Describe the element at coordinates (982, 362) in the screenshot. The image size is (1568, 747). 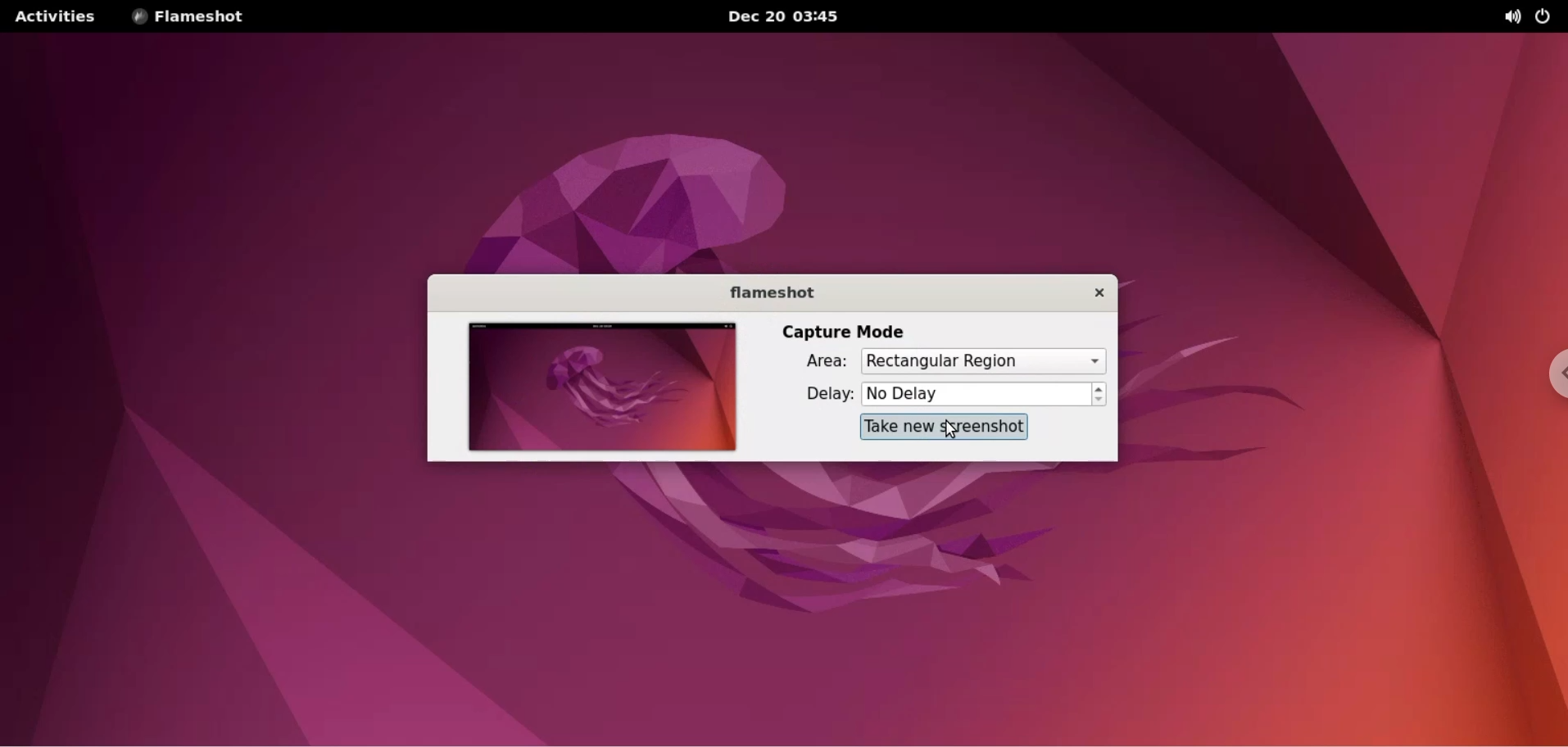
I see `capture mode options` at that location.